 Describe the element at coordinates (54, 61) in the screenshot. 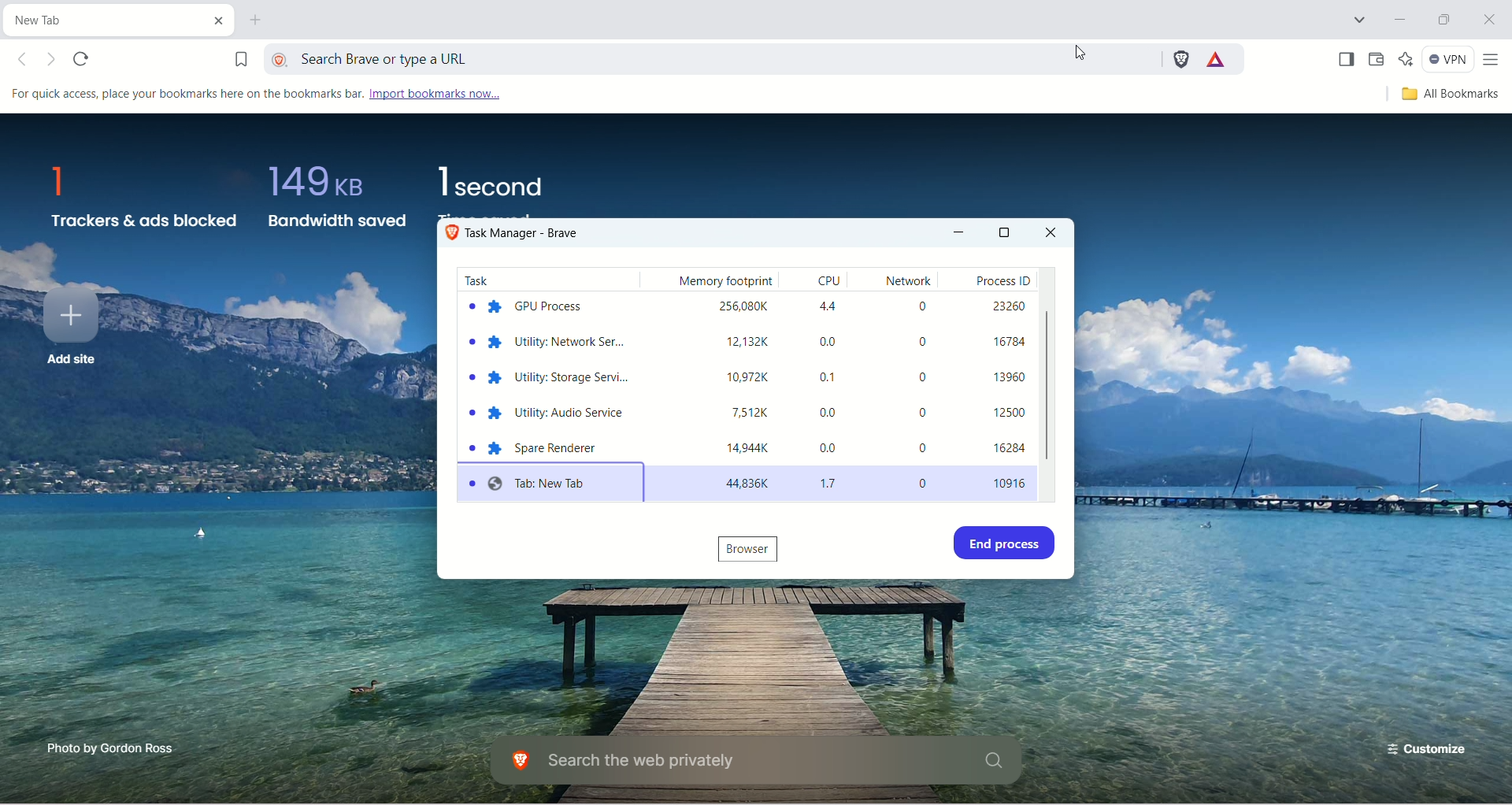

I see `go forward` at that location.